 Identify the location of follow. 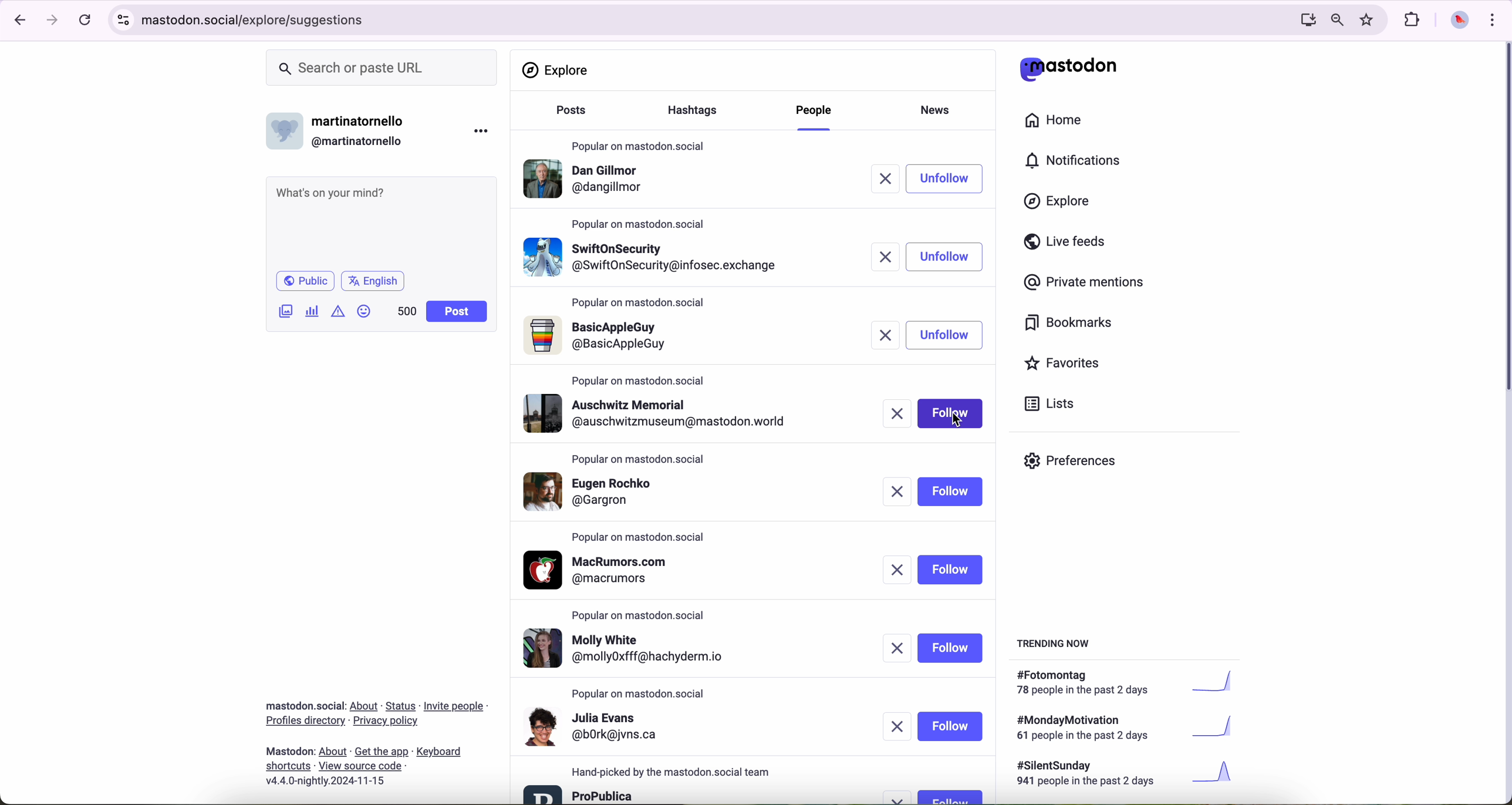
(950, 257).